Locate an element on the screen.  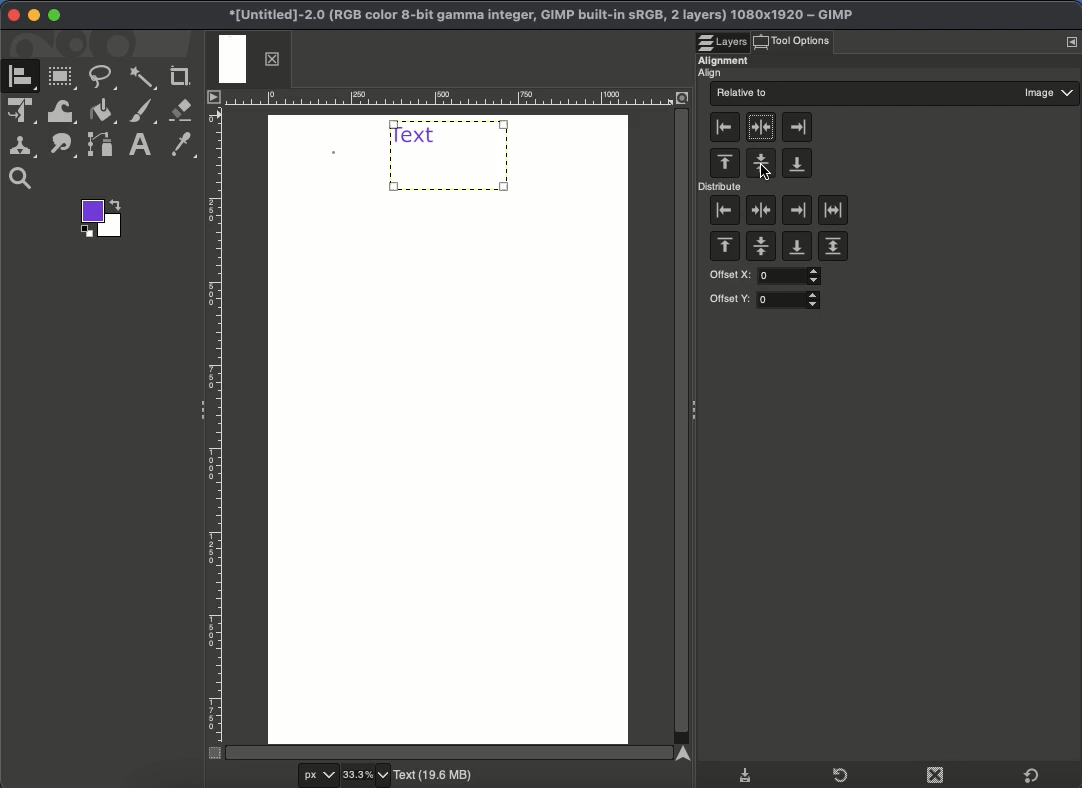
Fill is located at coordinates (101, 112).